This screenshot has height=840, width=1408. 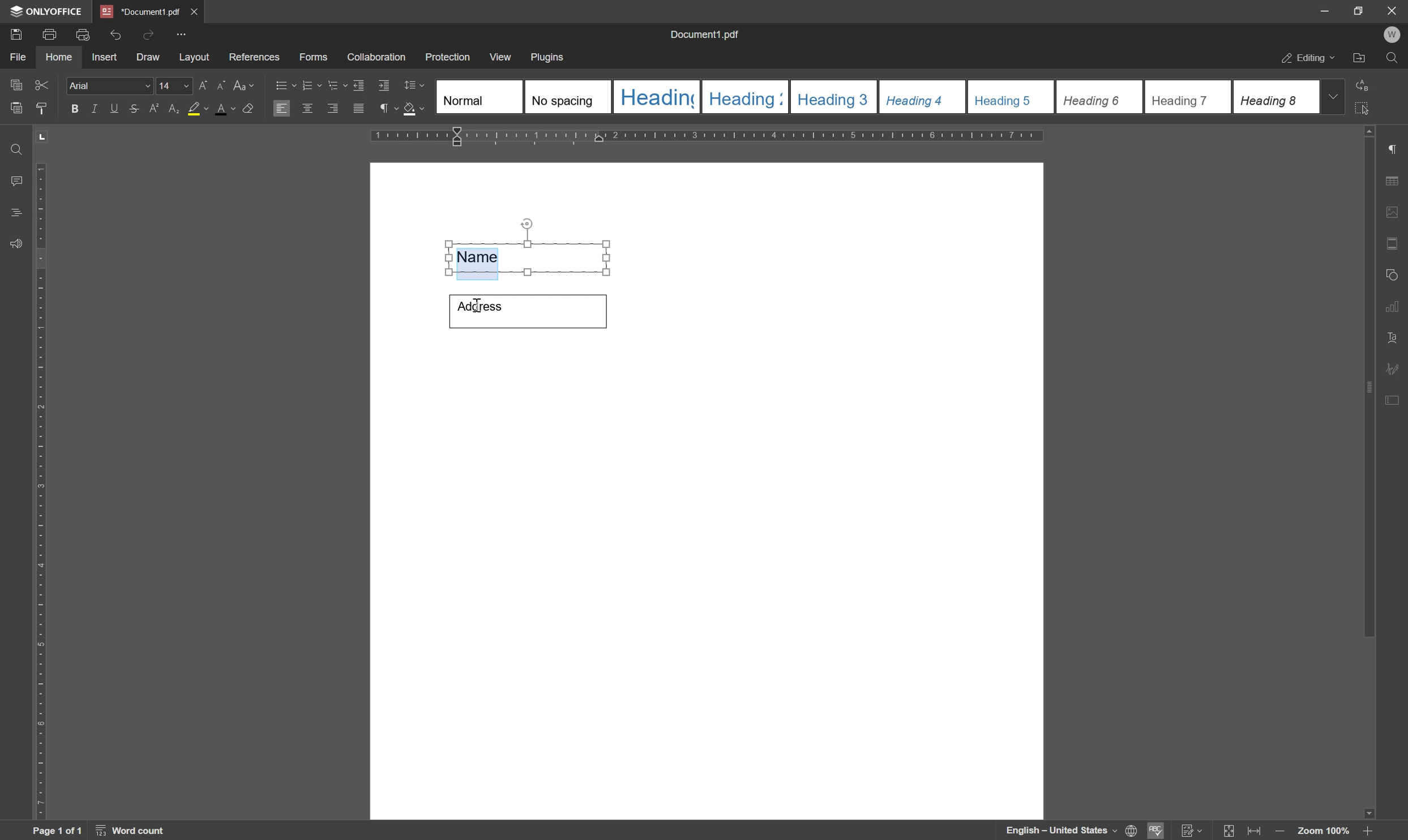 I want to click on copy, so click(x=15, y=83).